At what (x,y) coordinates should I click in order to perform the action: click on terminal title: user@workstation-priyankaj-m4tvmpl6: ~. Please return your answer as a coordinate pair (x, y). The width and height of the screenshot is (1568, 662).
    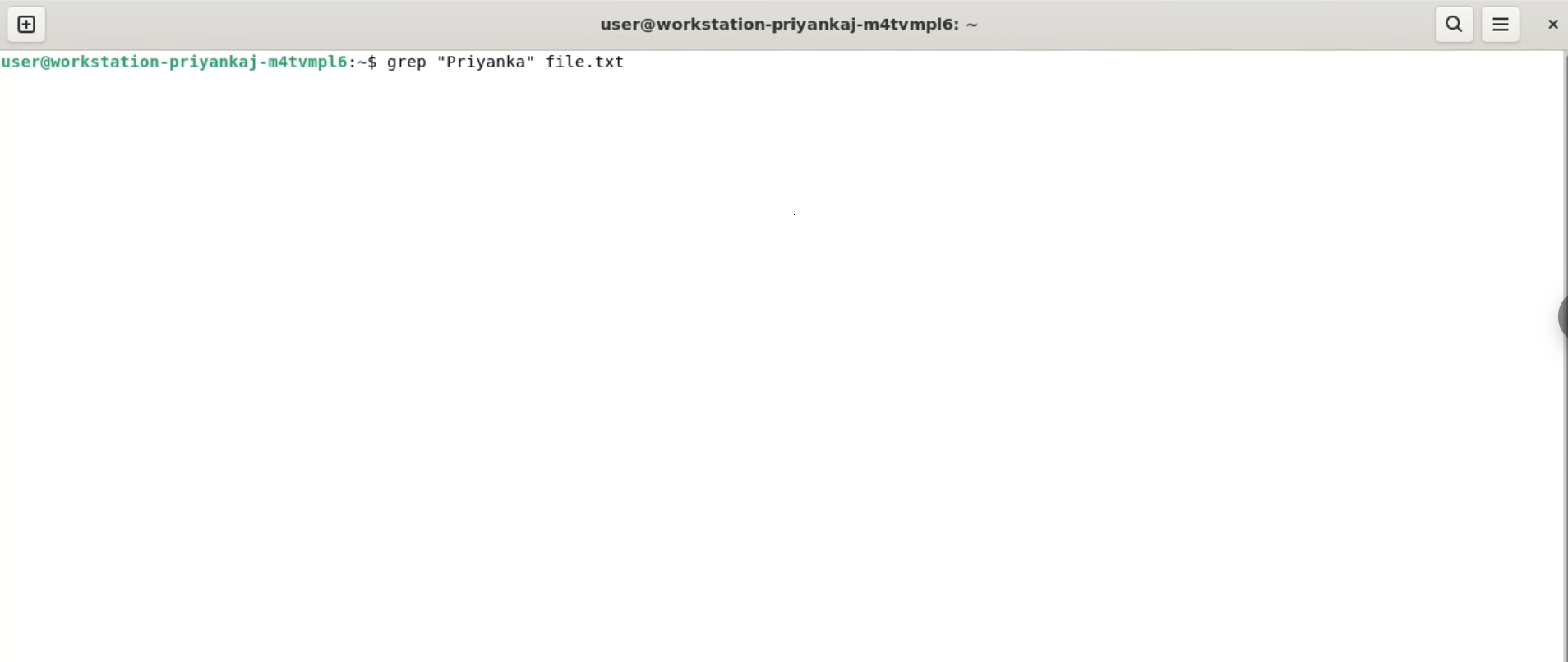
    Looking at the image, I should click on (795, 24).